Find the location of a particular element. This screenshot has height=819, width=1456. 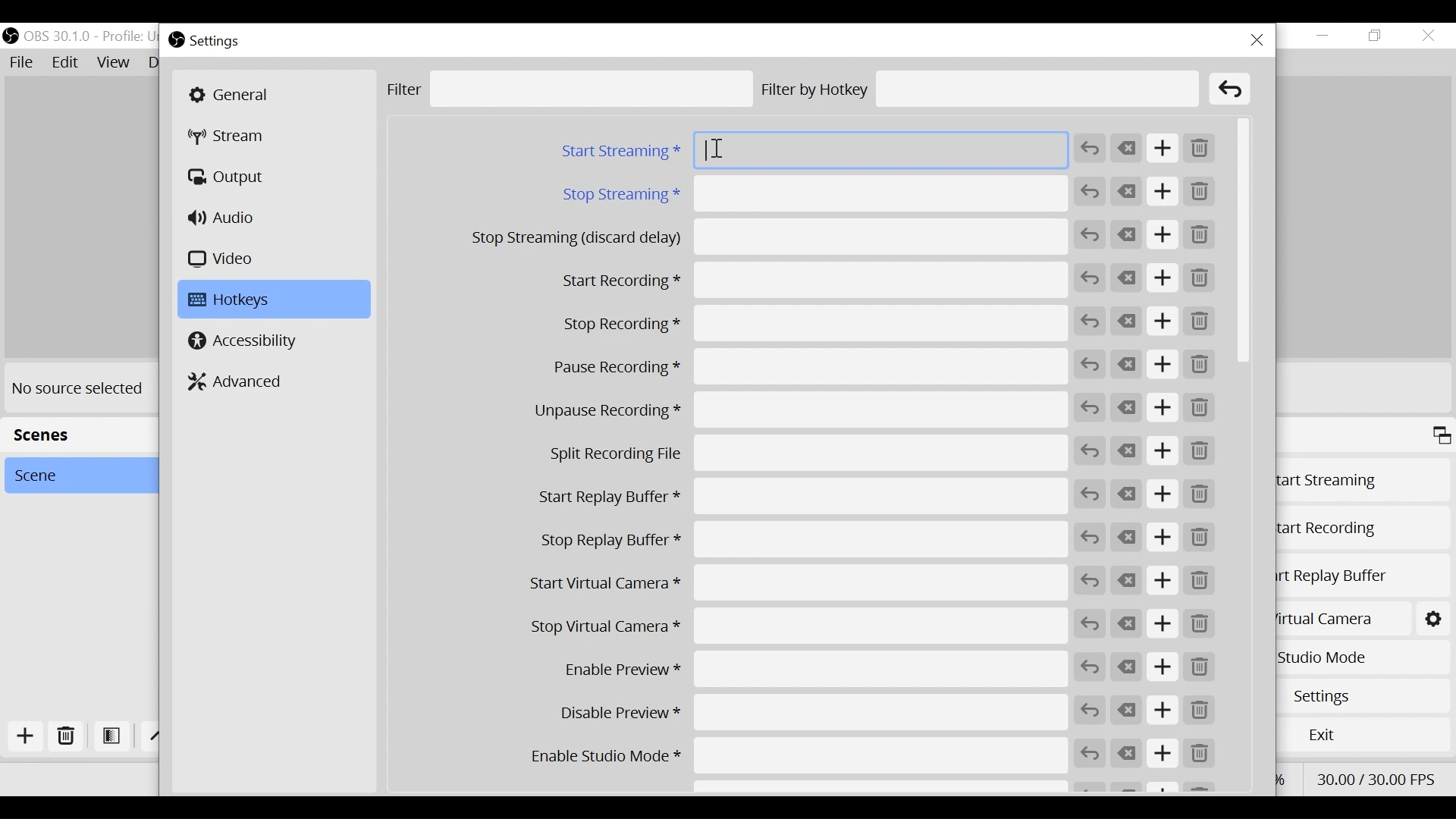

Clear is located at coordinates (1128, 366).